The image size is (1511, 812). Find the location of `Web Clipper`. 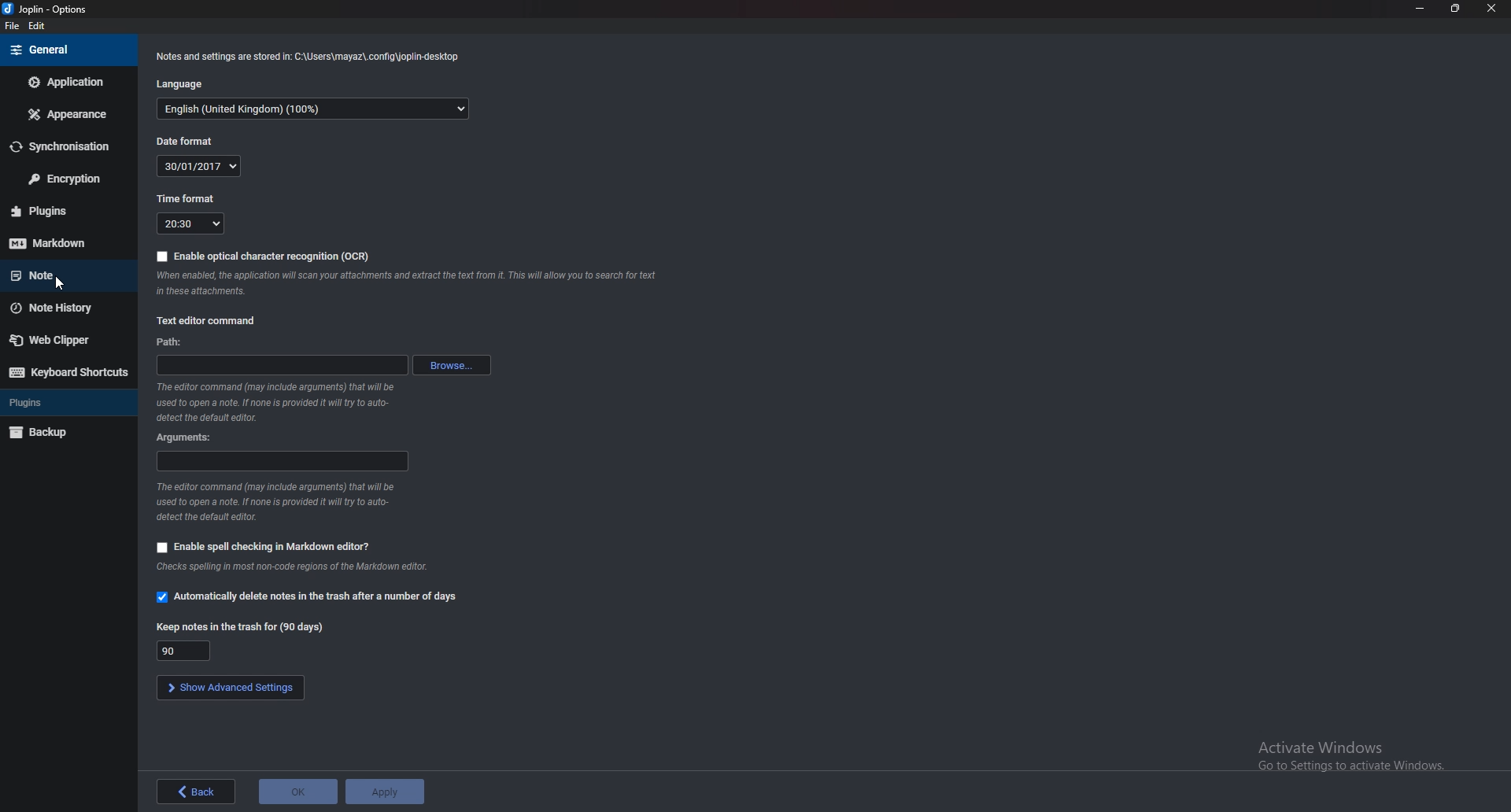

Web Clipper is located at coordinates (64, 341).